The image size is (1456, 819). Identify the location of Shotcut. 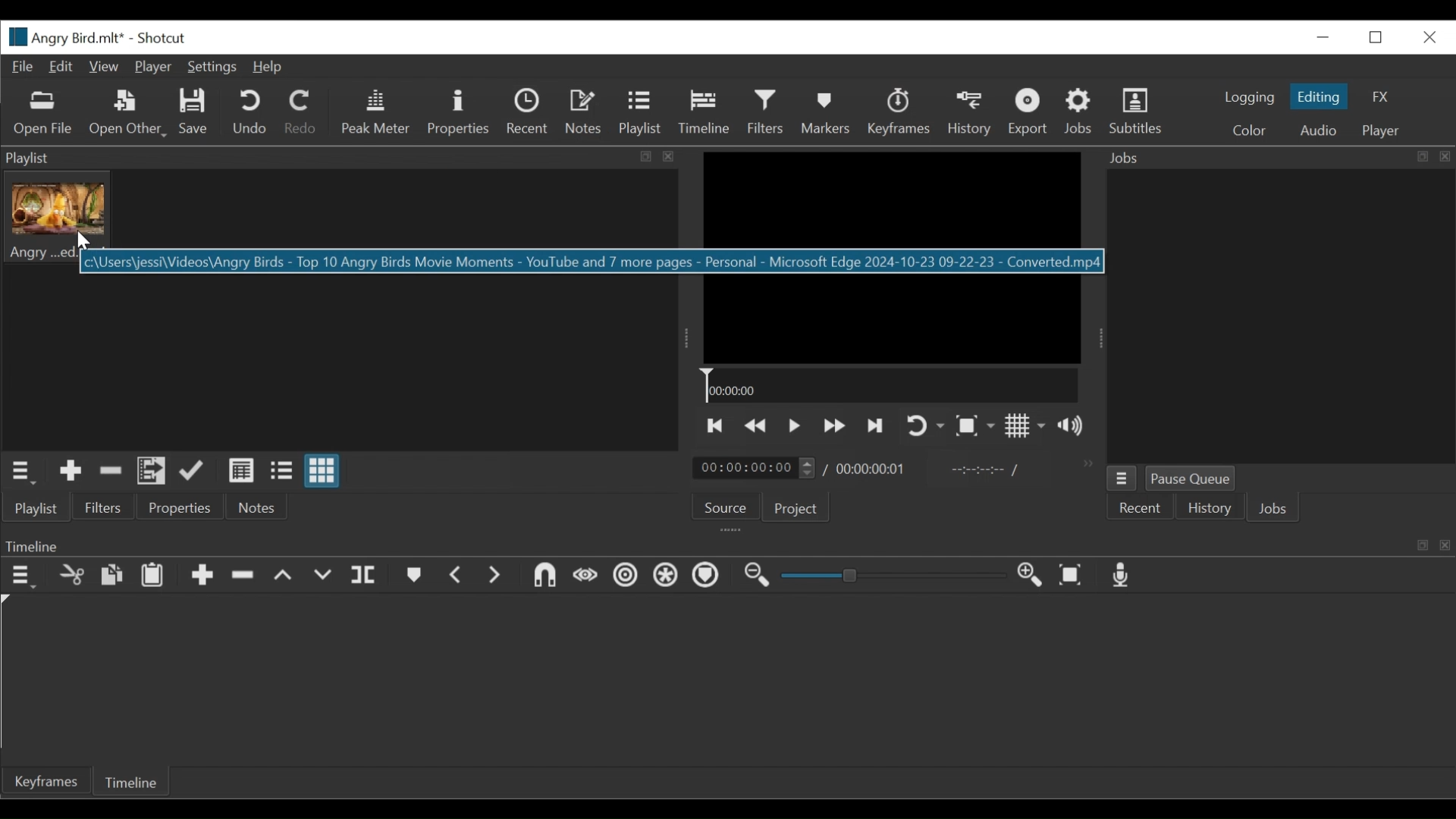
(166, 37).